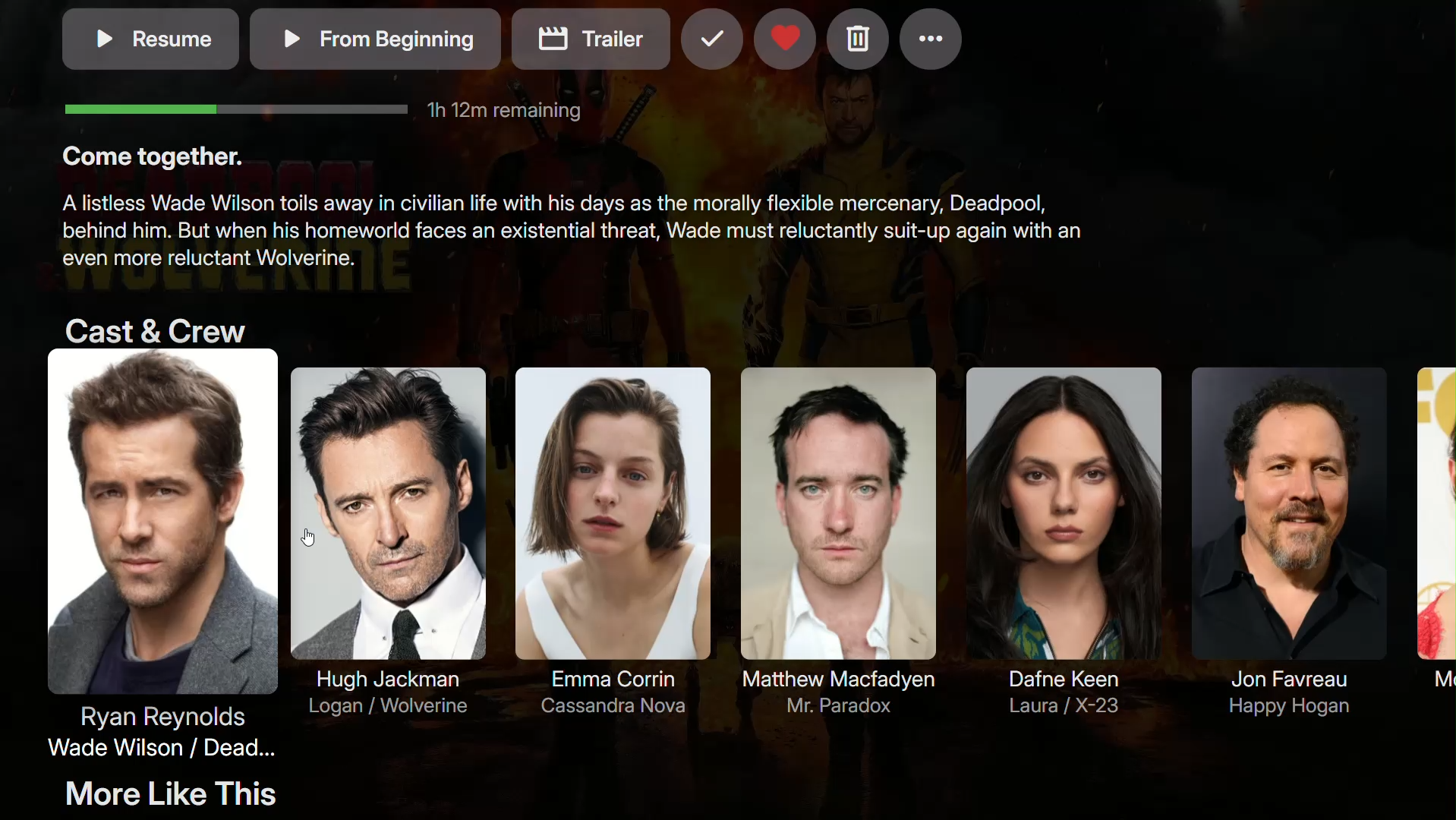  Describe the element at coordinates (1433, 537) in the screenshot. I see `Morena Baccarin` at that location.